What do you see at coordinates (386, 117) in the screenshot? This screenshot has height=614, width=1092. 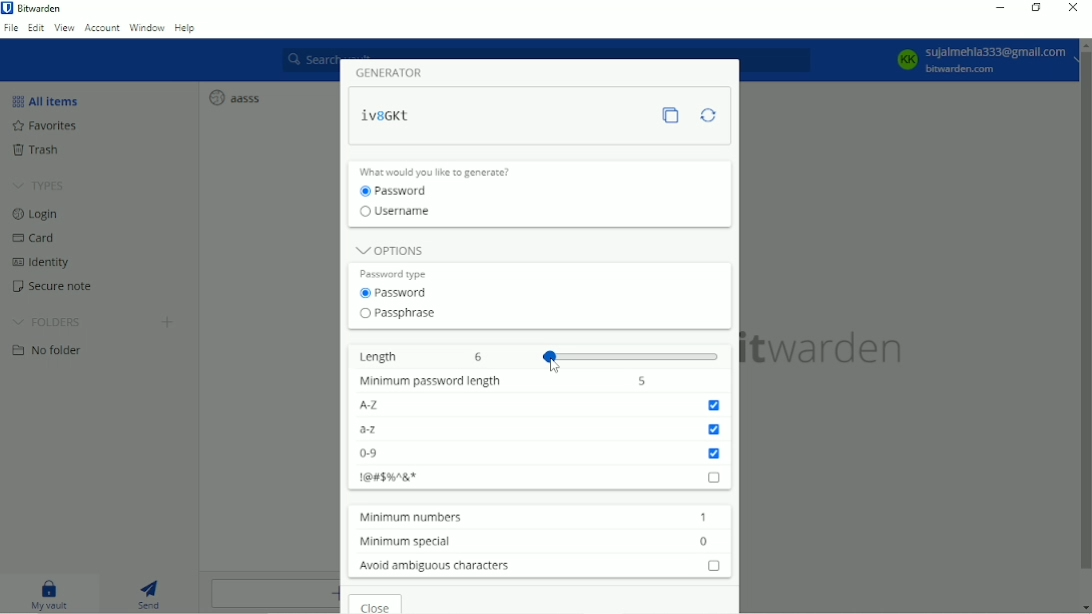 I see `length changed` at bounding box center [386, 117].